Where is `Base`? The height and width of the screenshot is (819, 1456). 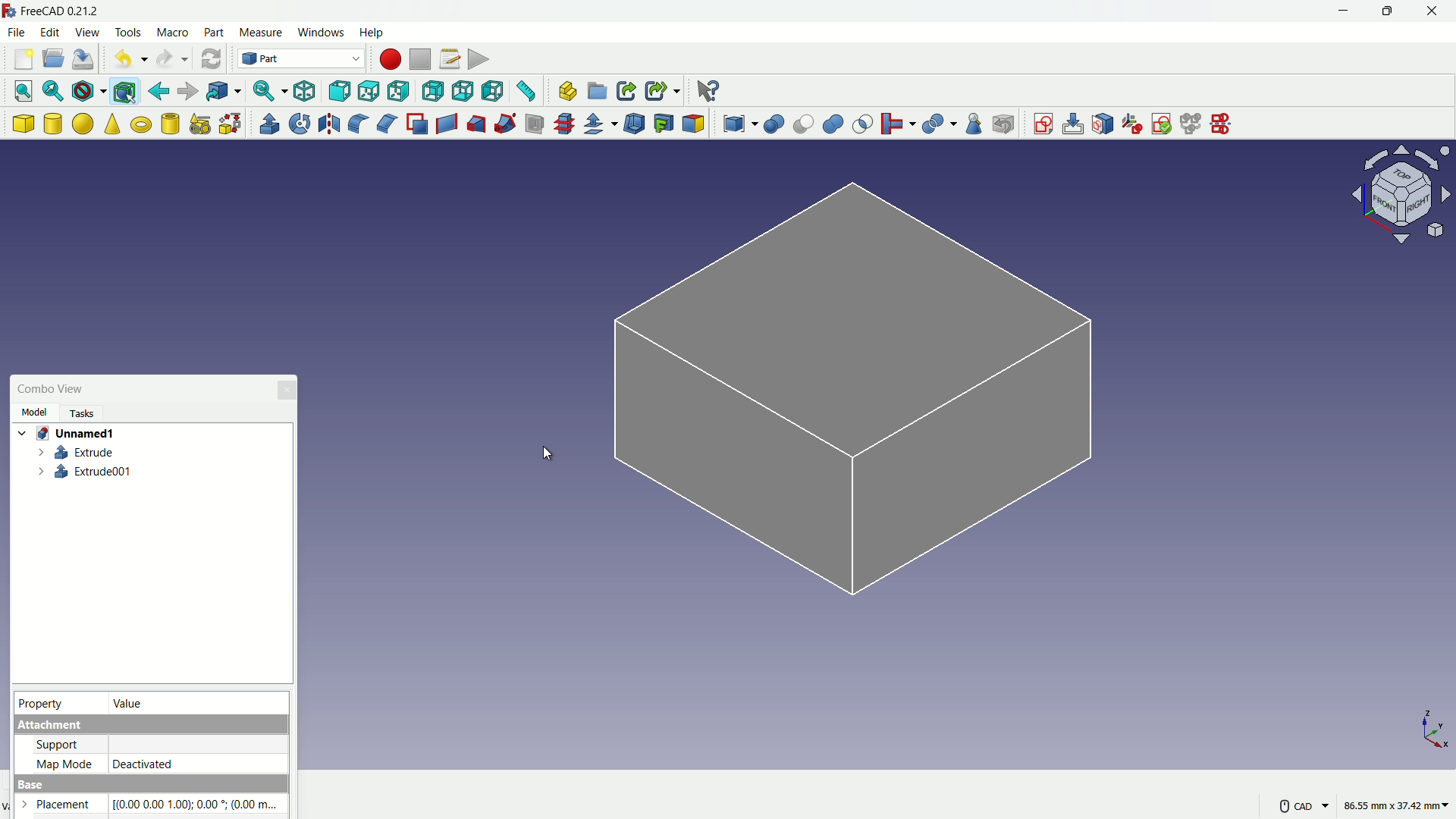
Base is located at coordinates (153, 783).